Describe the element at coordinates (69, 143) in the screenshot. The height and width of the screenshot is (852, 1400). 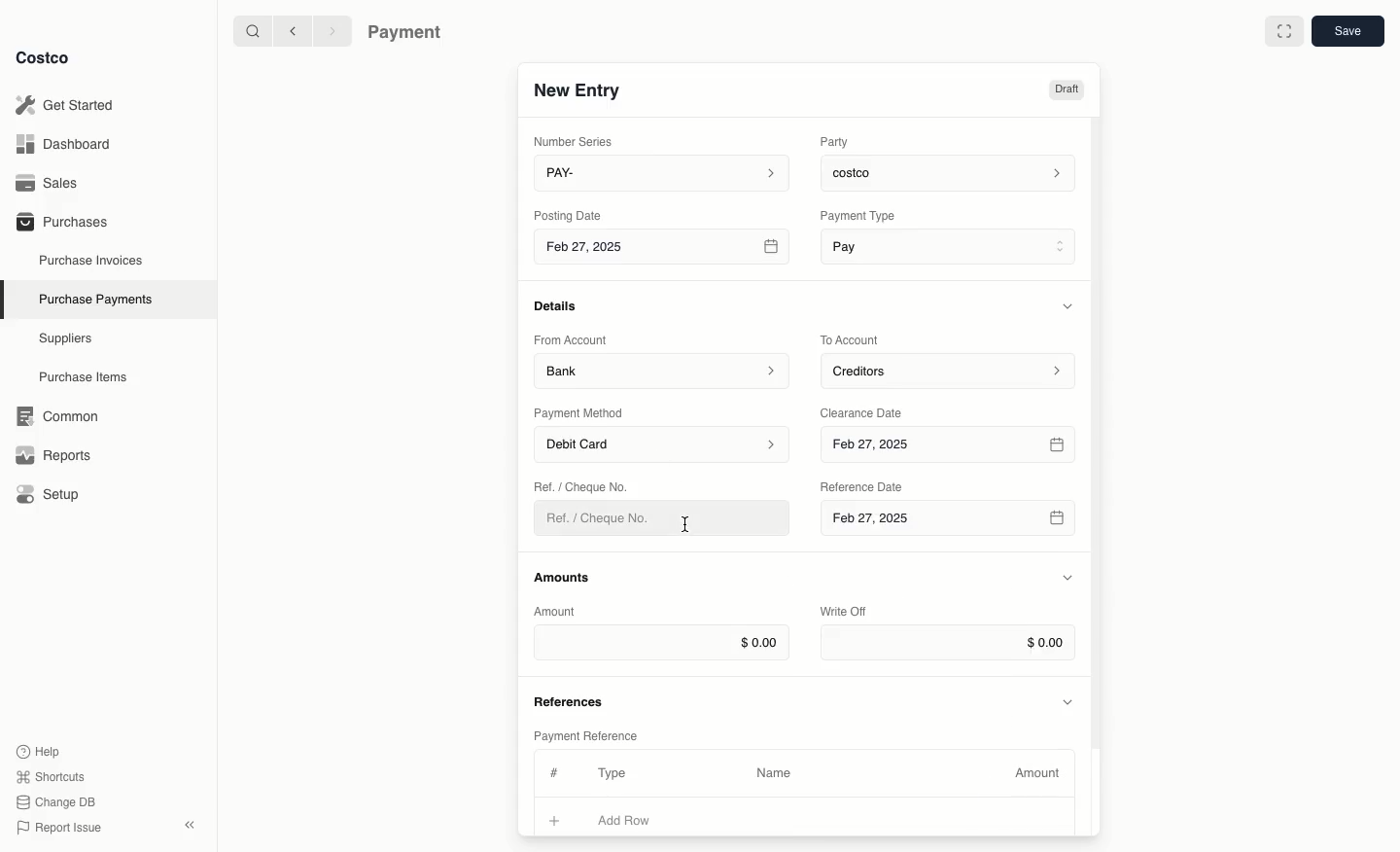
I see `Dashboard` at that location.